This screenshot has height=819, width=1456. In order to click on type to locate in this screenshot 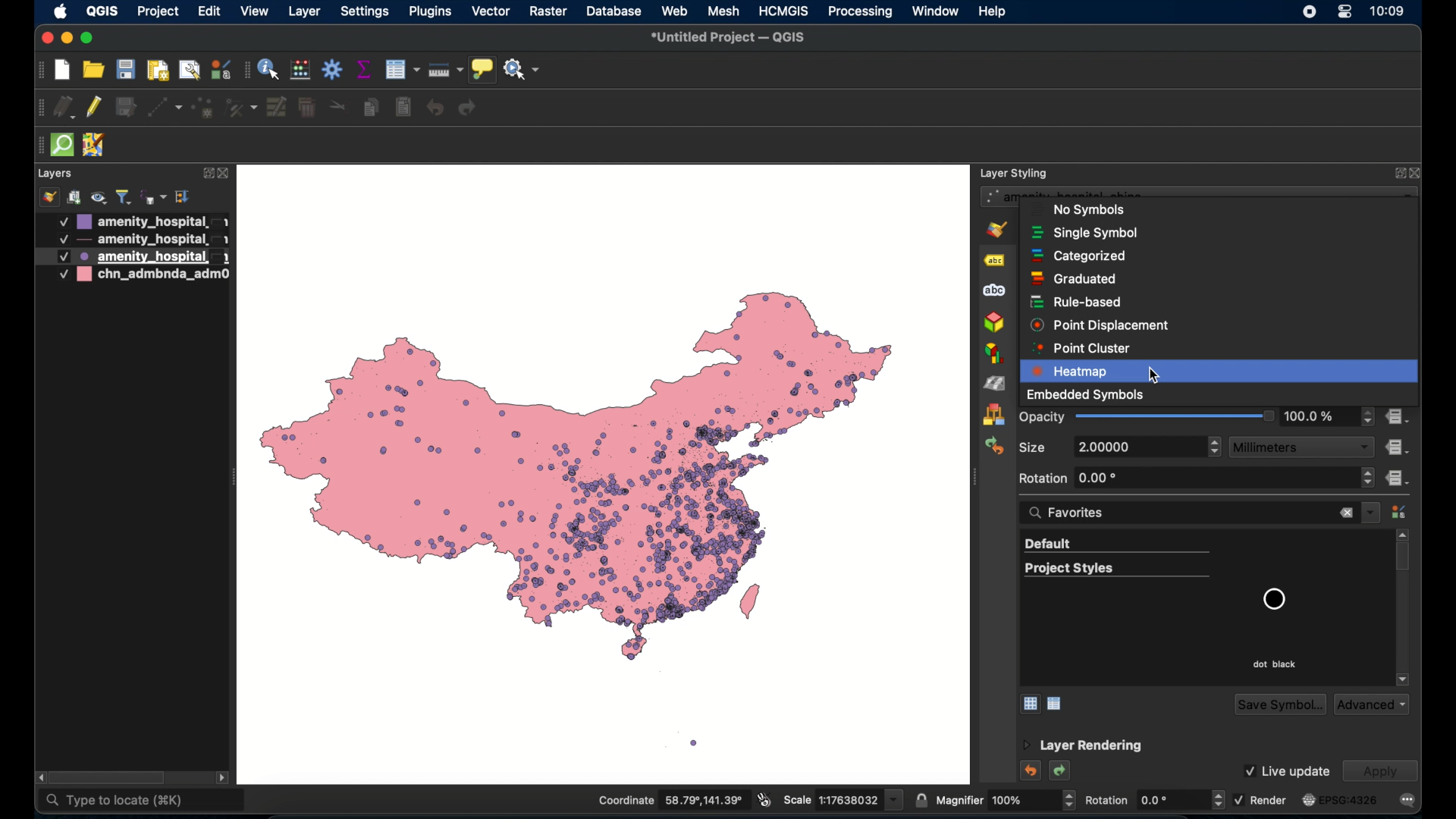, I will do `click(143, 800)`.